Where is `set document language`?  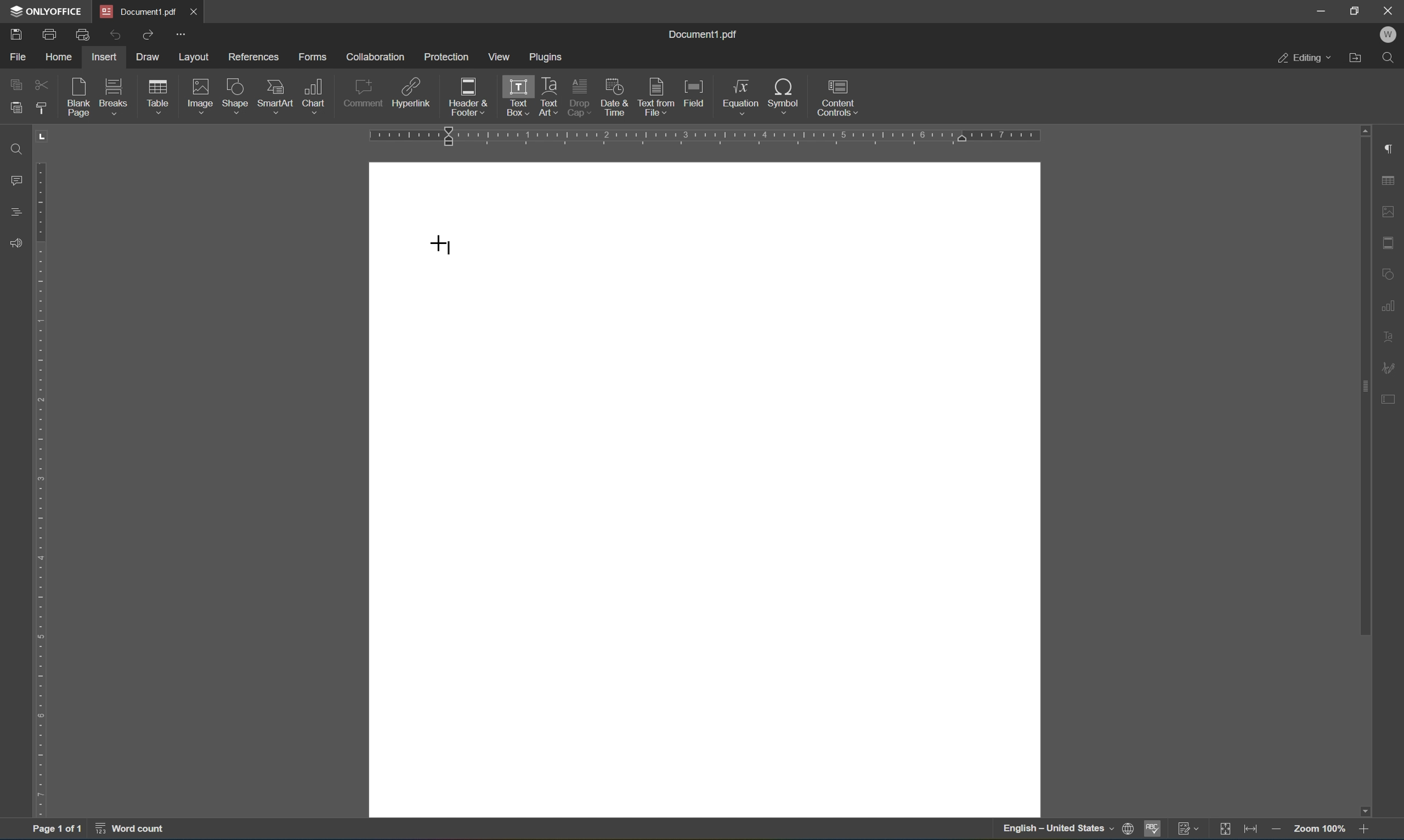
set document language is located at coordinates (1129, 828).